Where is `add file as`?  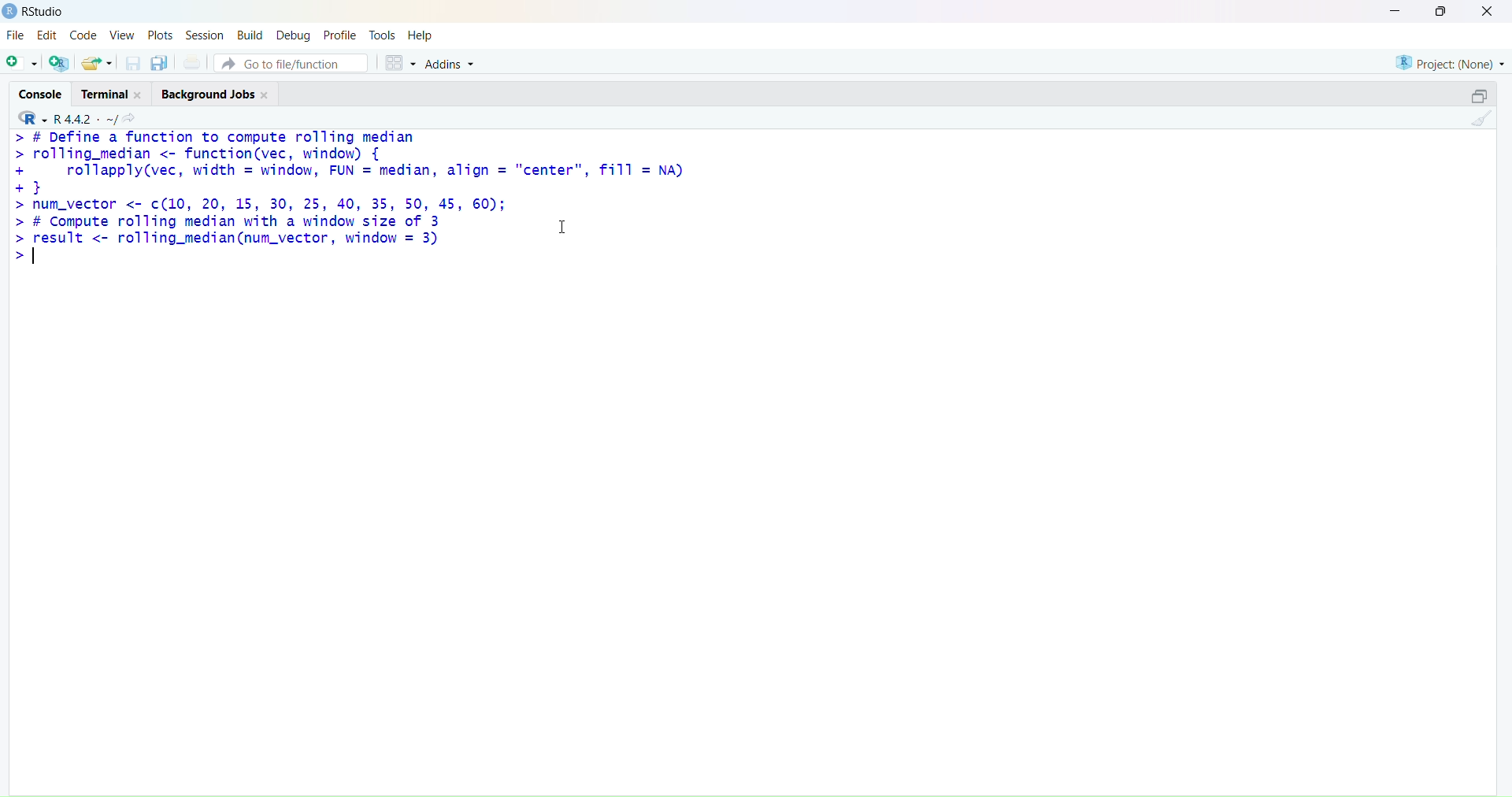 add file as is located at coordinates (22, 63).